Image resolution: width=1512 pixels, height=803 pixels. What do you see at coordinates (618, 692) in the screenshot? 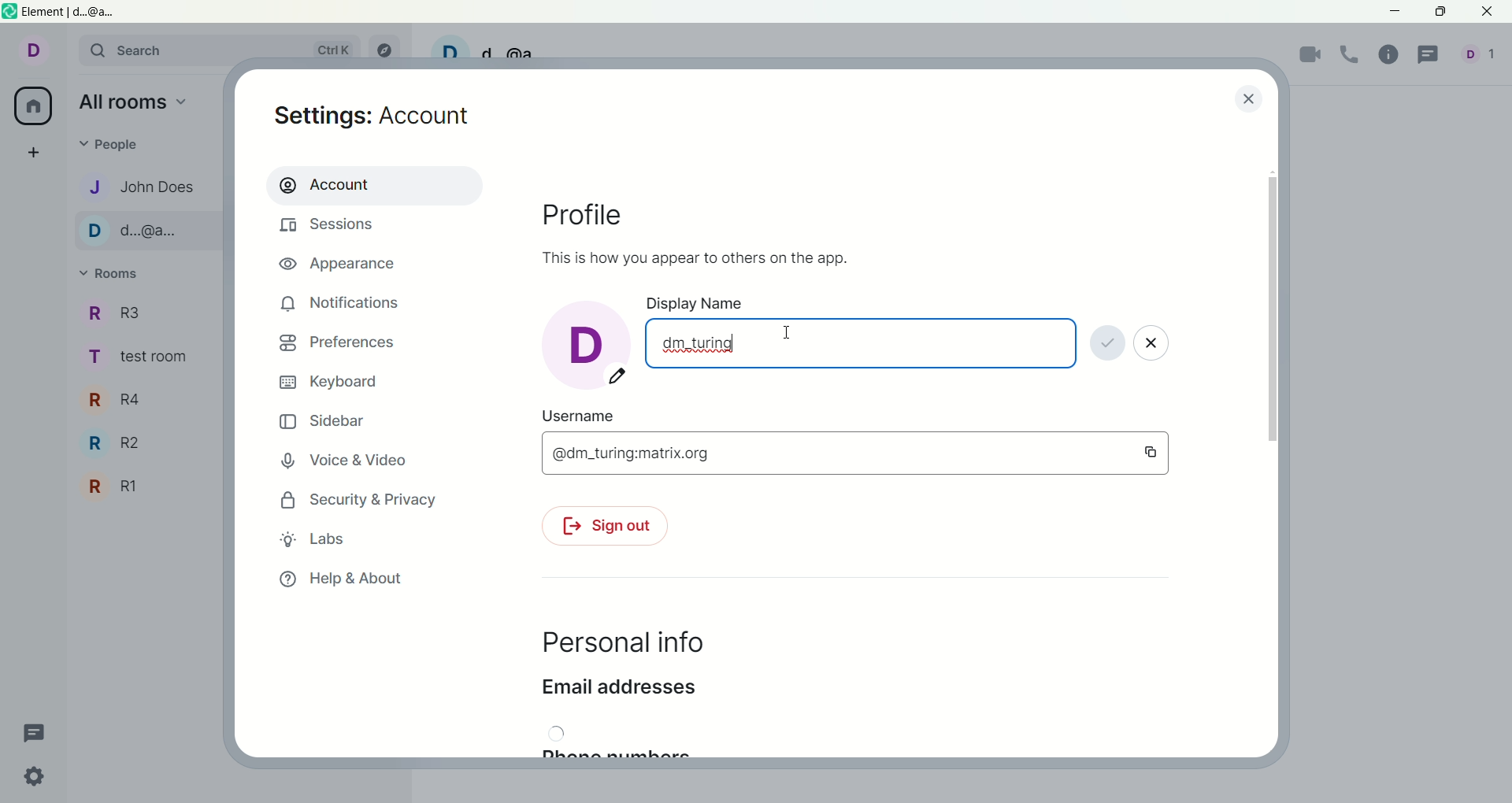
I see `email address` at bounding box center [618, 692].